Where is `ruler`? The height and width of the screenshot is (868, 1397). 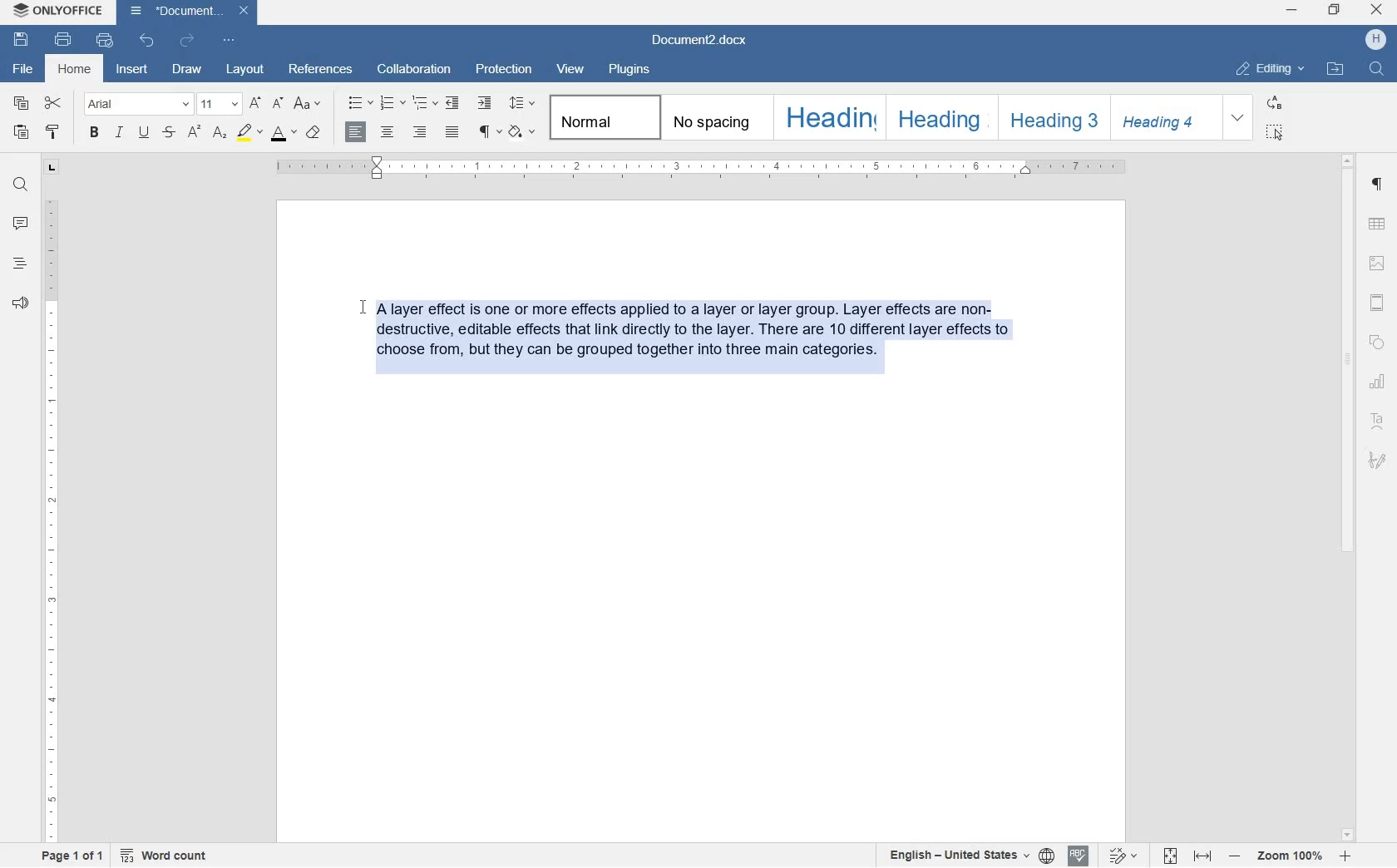 ruler is located at coordinates (704, 168).